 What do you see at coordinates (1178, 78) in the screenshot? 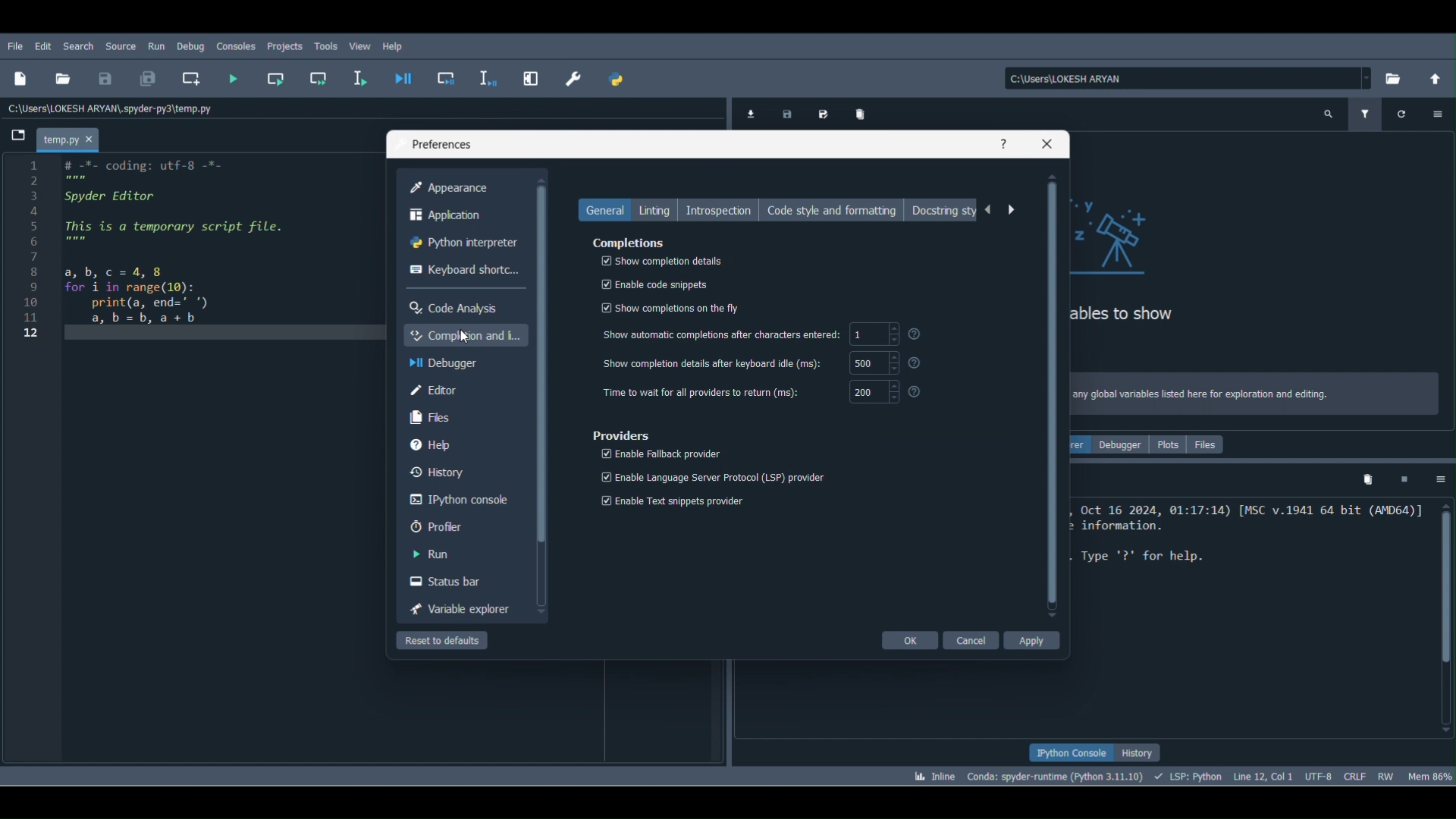
I see `File path` at bounding box center [1178, 78].